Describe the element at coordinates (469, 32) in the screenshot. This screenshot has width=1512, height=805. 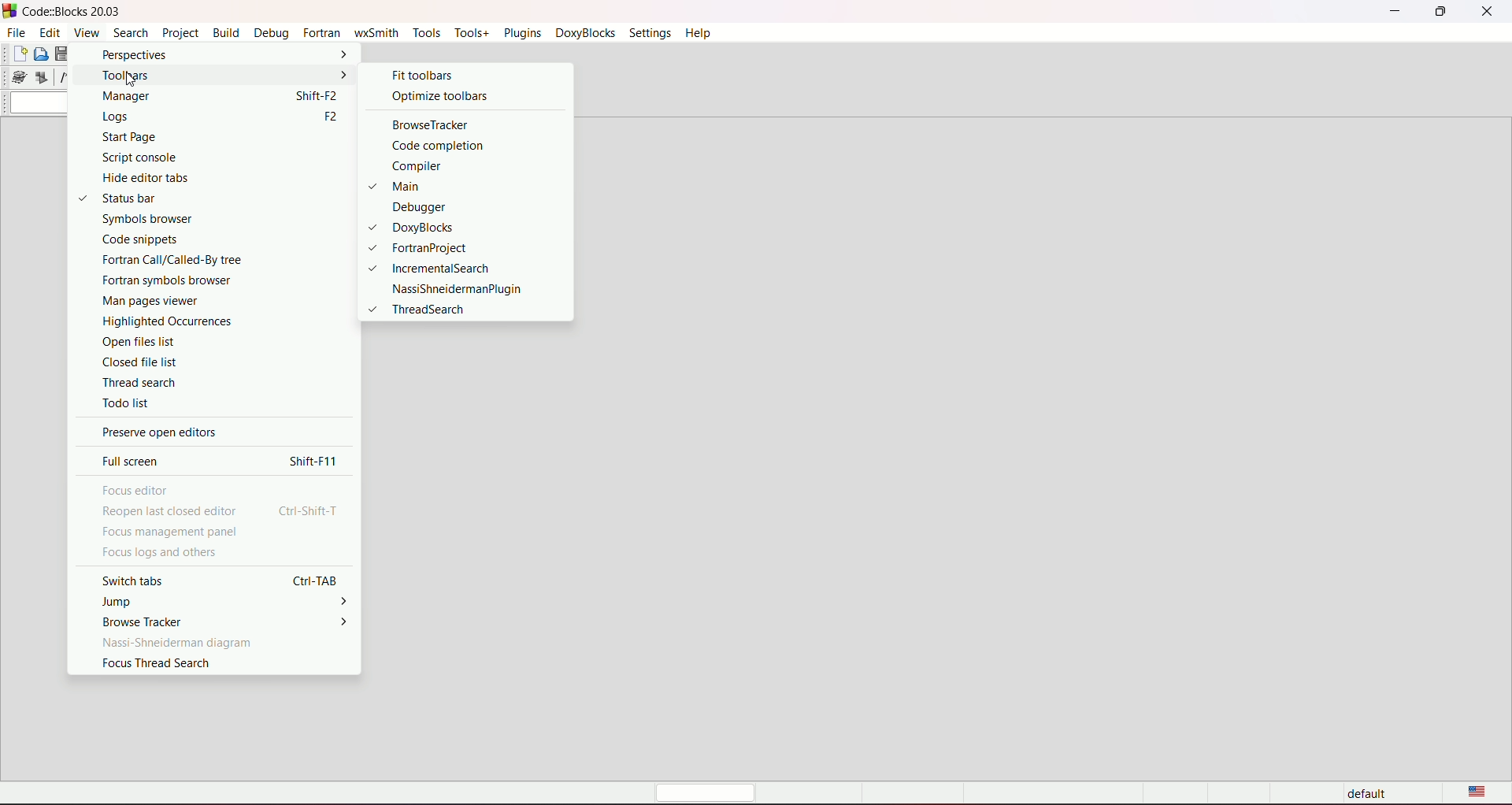
I see `tools+` at that location.